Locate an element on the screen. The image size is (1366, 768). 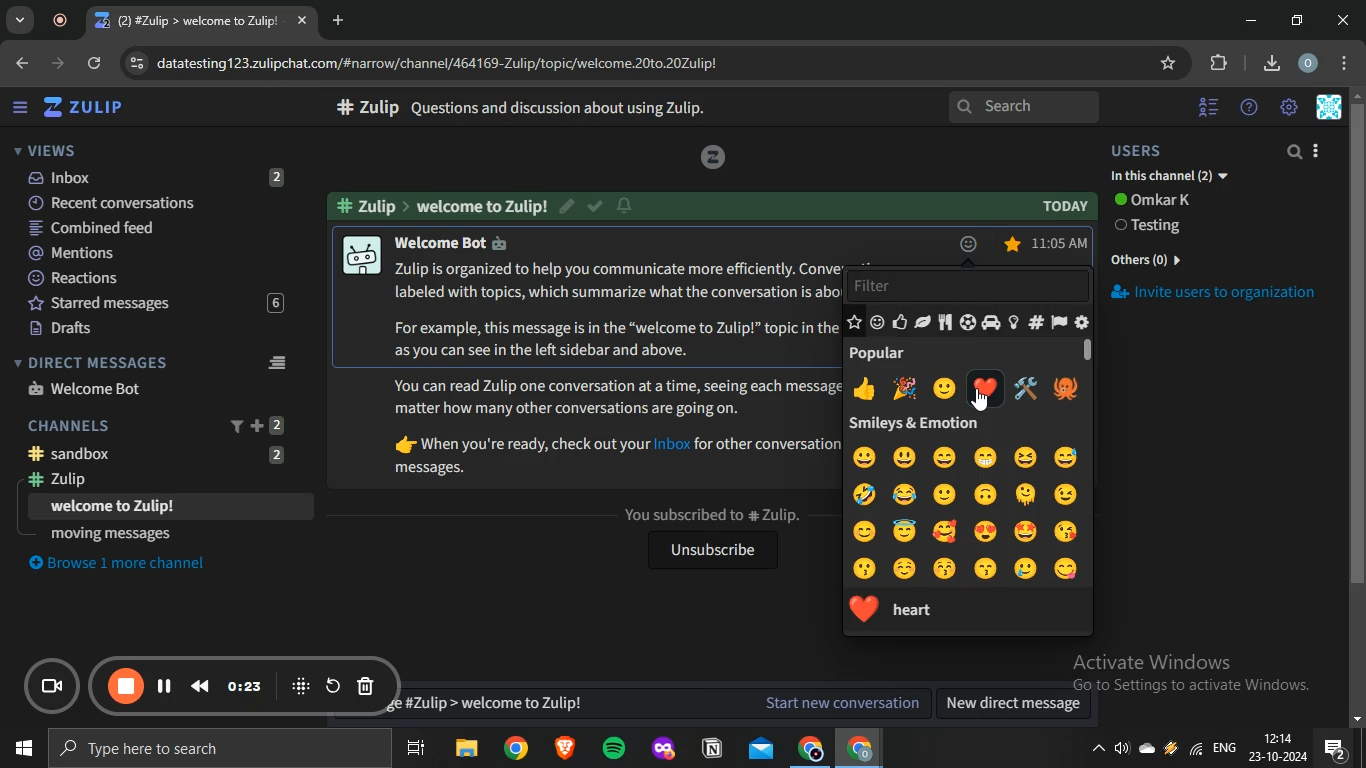
miling face with tear is located at coordinates (1026, 571).